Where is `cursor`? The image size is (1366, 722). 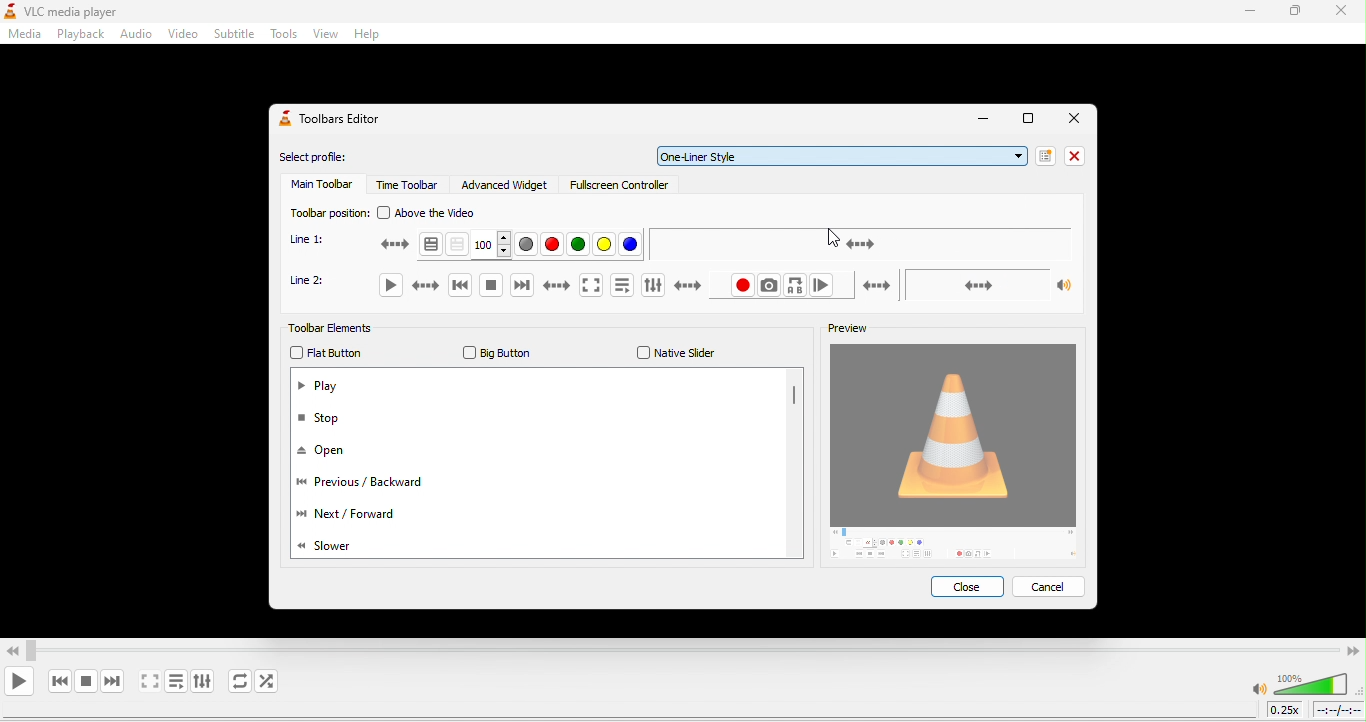 cursor is located at coordinates (833, 237).